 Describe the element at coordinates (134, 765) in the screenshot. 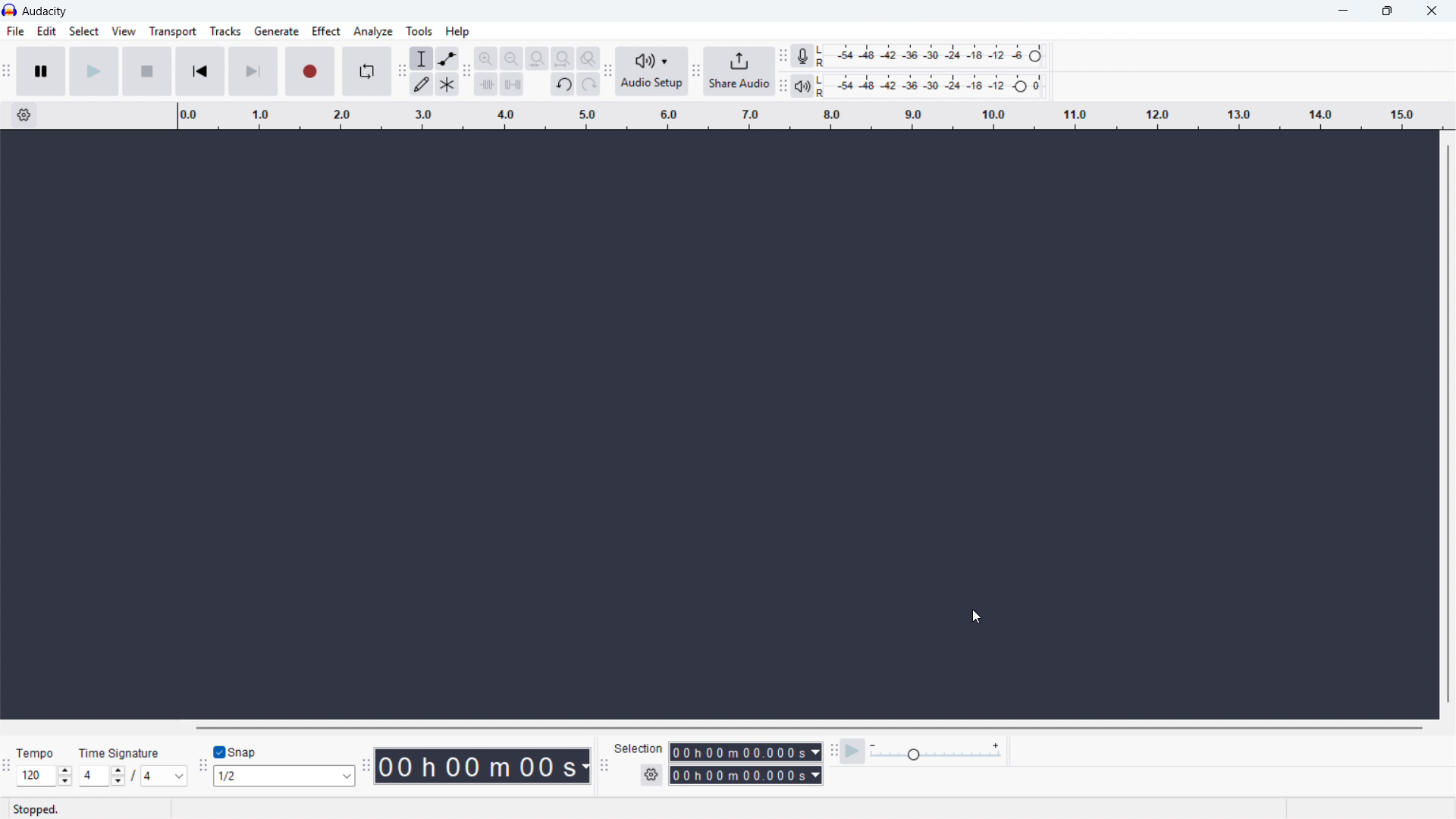

I see `set time signature` at that location.